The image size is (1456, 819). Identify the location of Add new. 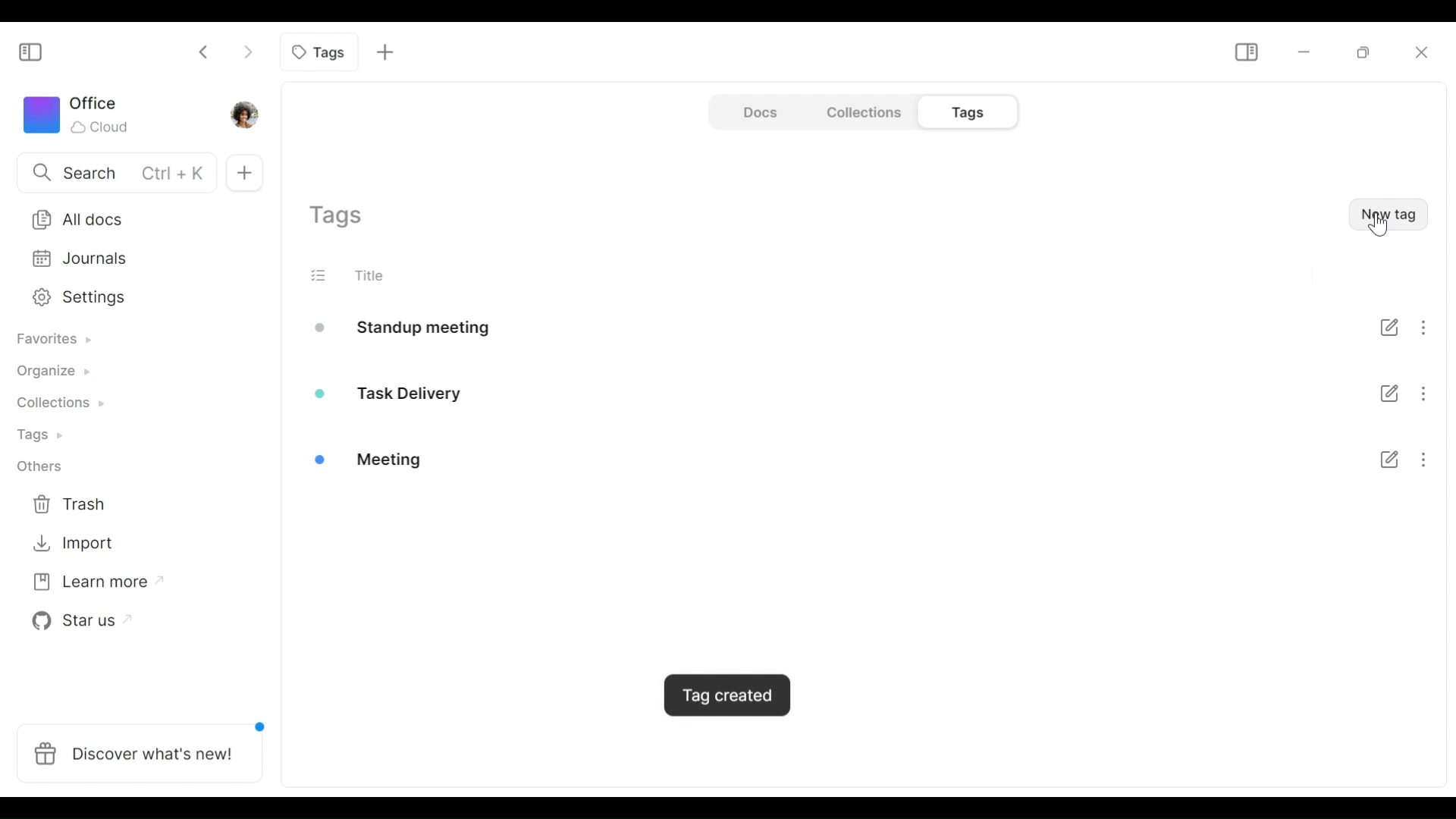
(386, 52).